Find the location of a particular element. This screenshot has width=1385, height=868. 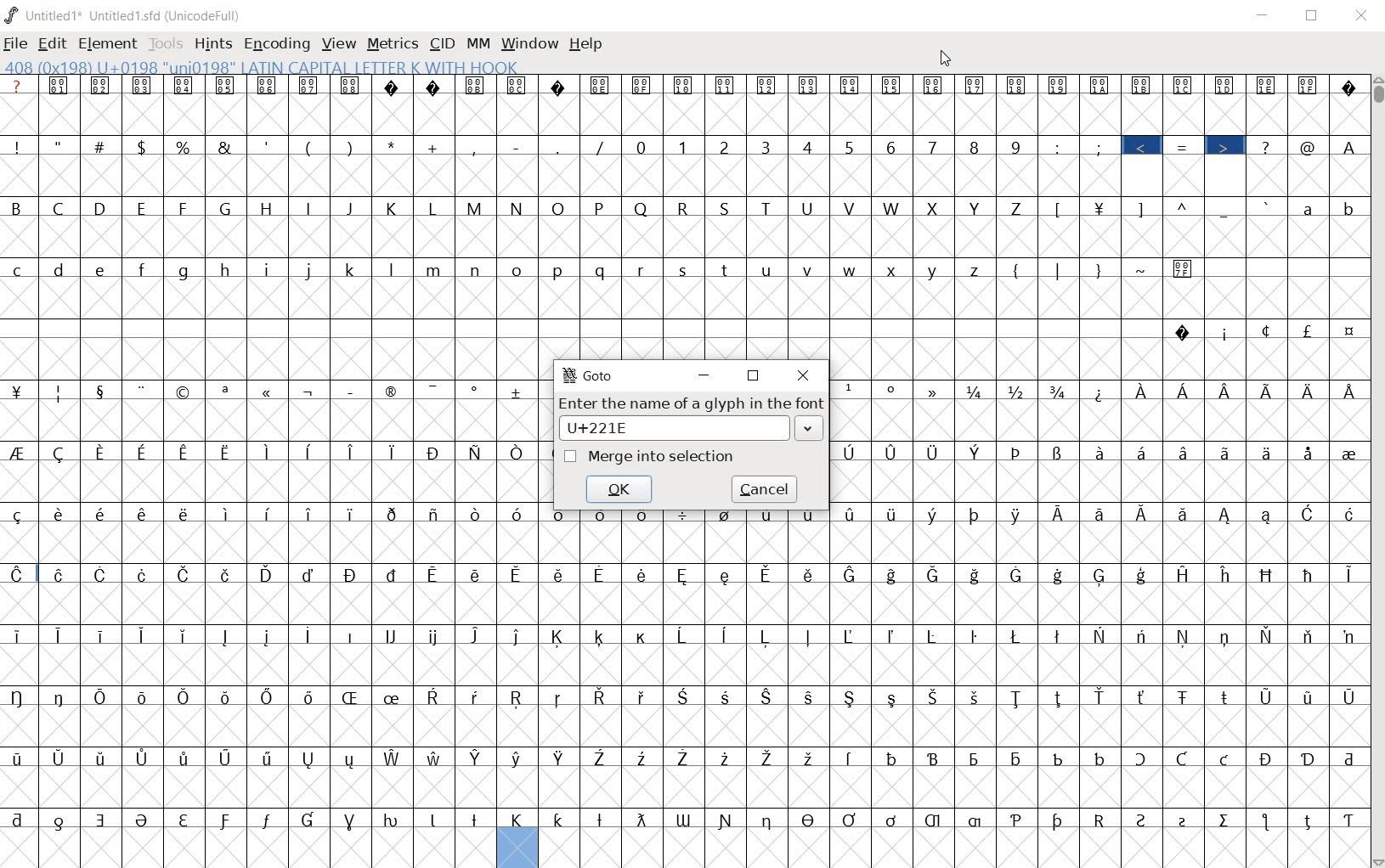

special letters is located at coordinates (688, 634).